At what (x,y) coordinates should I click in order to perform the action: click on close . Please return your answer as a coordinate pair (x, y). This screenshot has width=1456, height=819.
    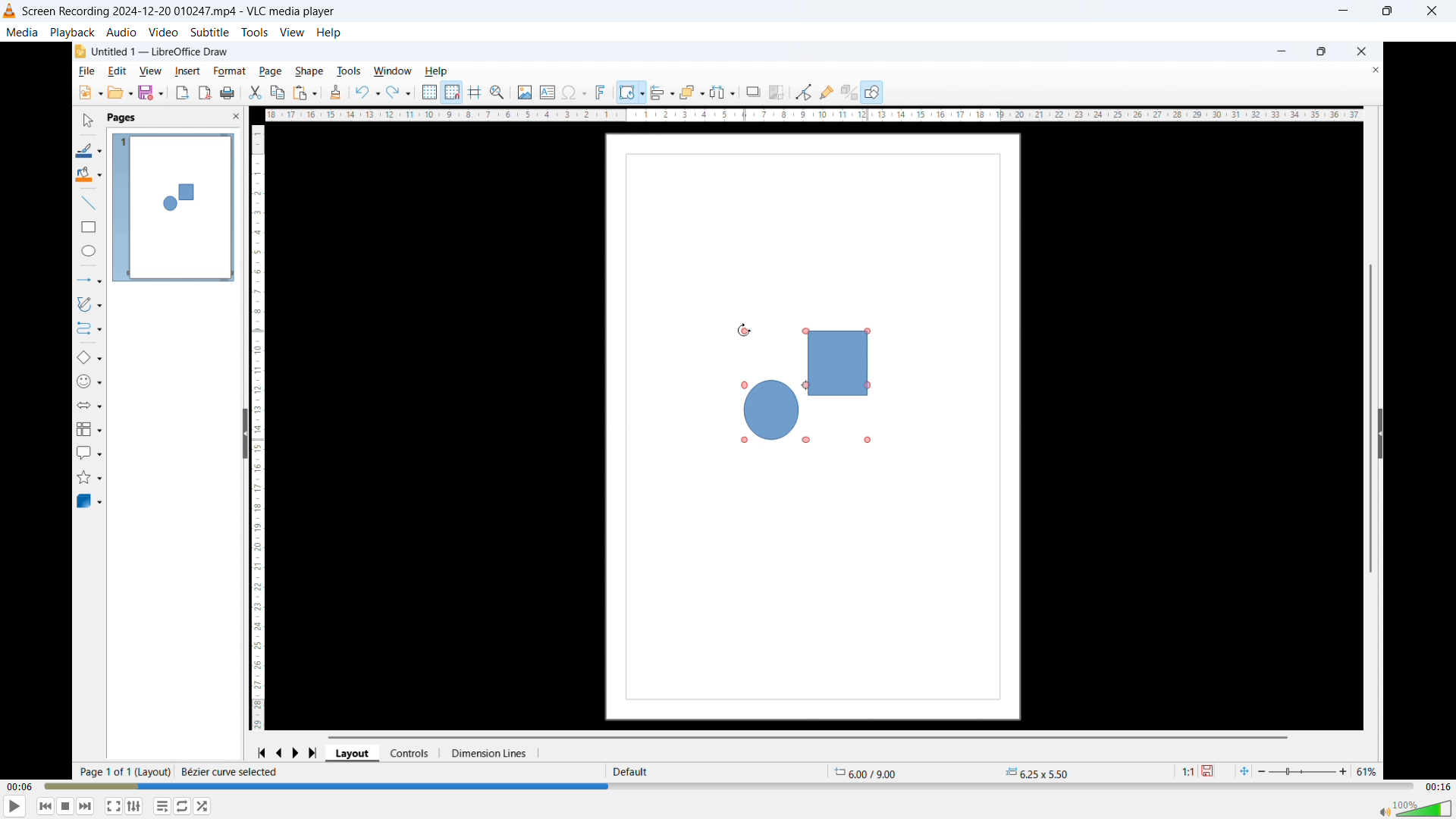
    Looking at the image, I should click on (1432, 11).